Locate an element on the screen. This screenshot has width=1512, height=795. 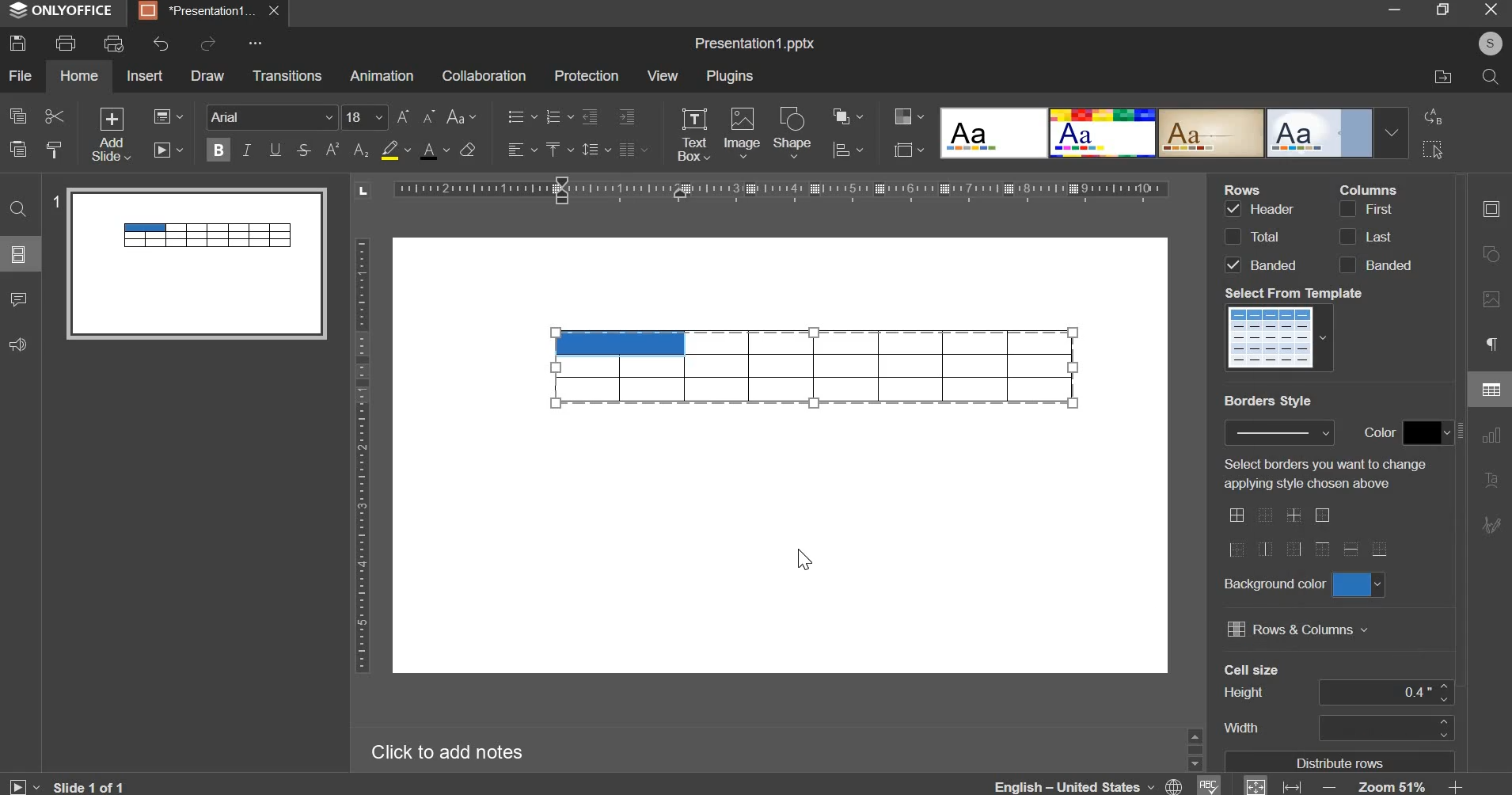
slide size is located at coordinates (908, 149).